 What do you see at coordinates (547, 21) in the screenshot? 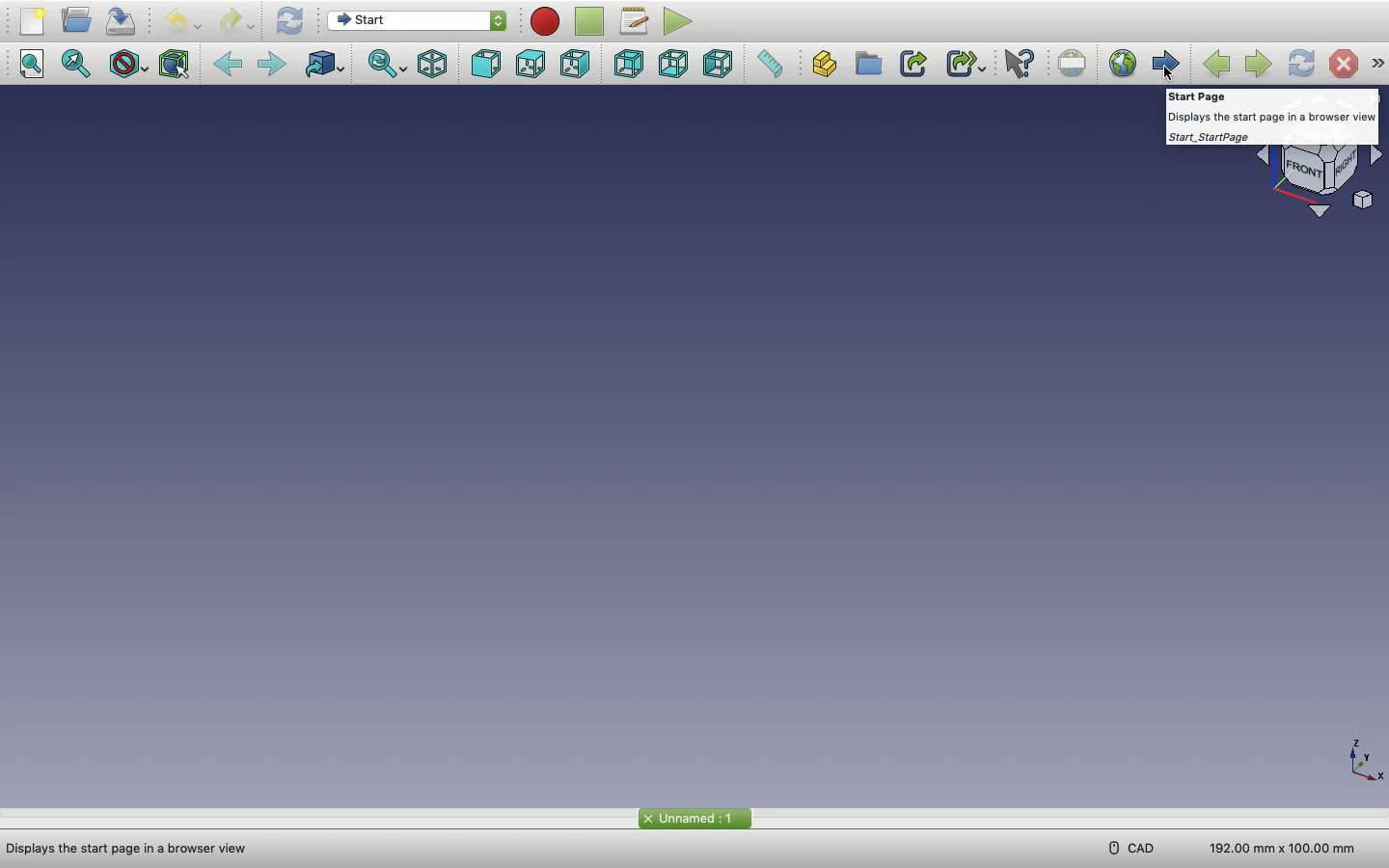
I see `Macro recording` at bounding box center [547, 21].